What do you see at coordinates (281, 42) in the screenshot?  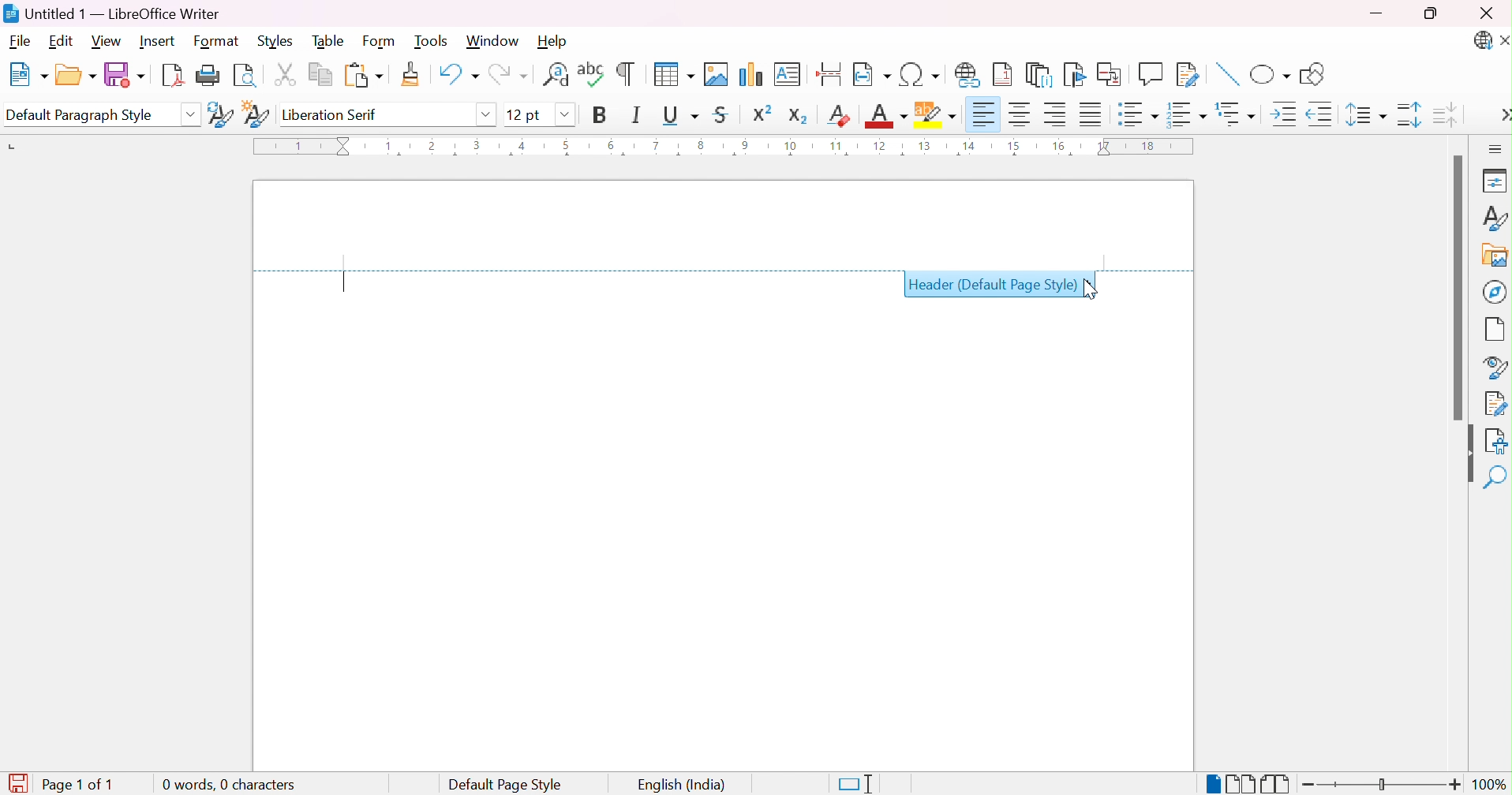 I see `Styles` at bounding box center [281, 42].